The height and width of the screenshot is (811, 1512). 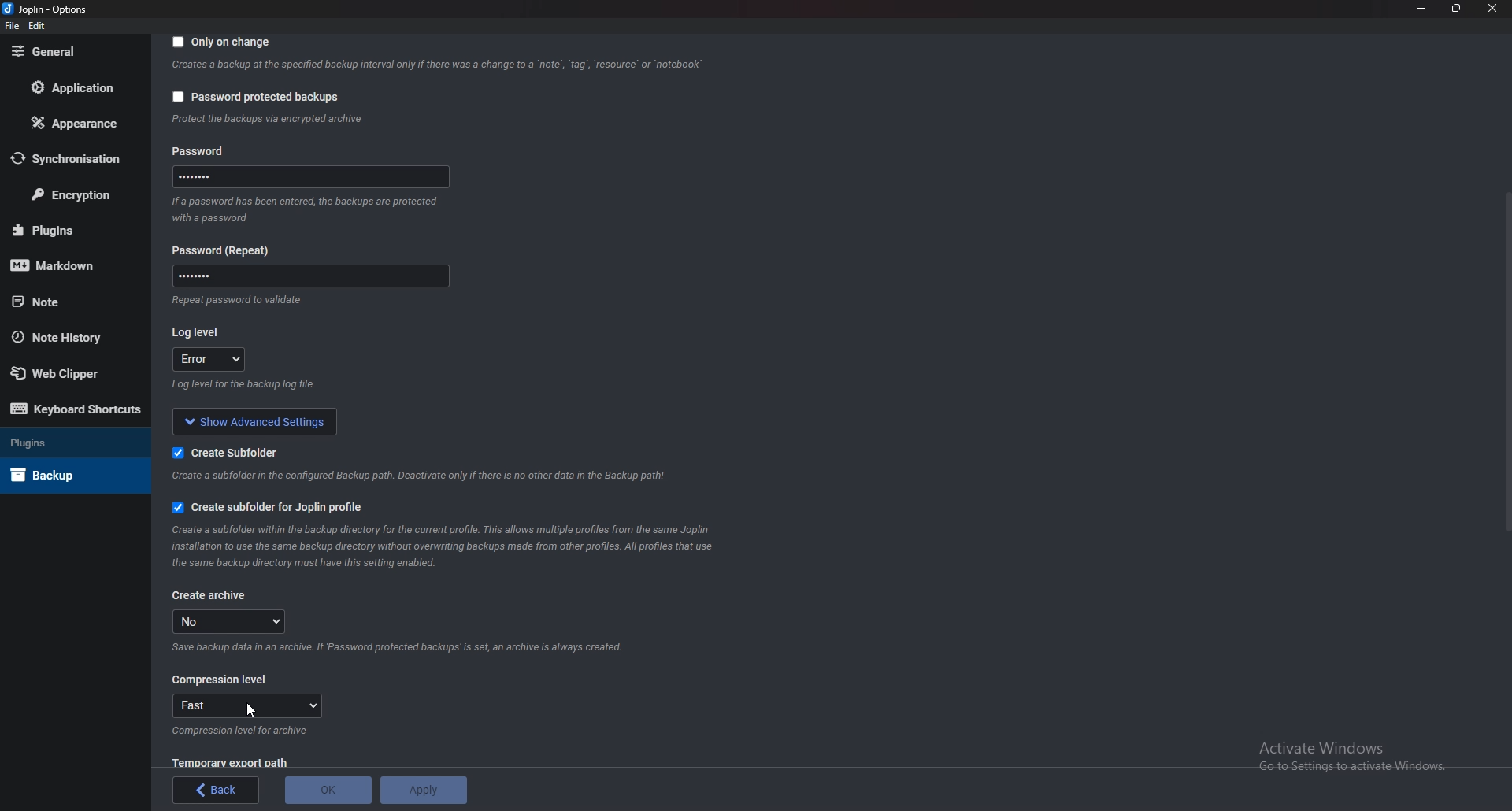 I want to click on mark down, so click(x=64, y=267).